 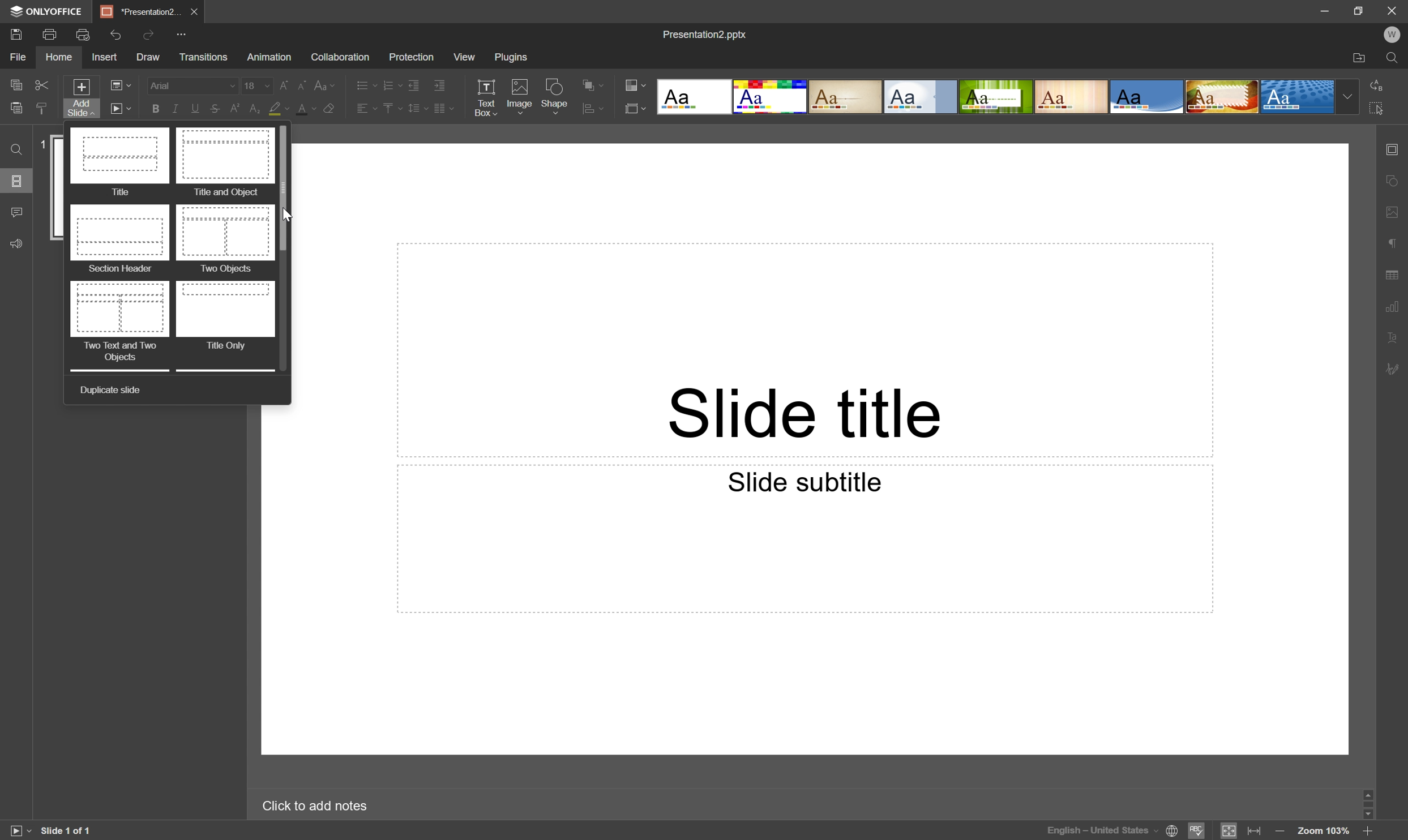 I want to click on Highlight color, so click(x=280, y=109).